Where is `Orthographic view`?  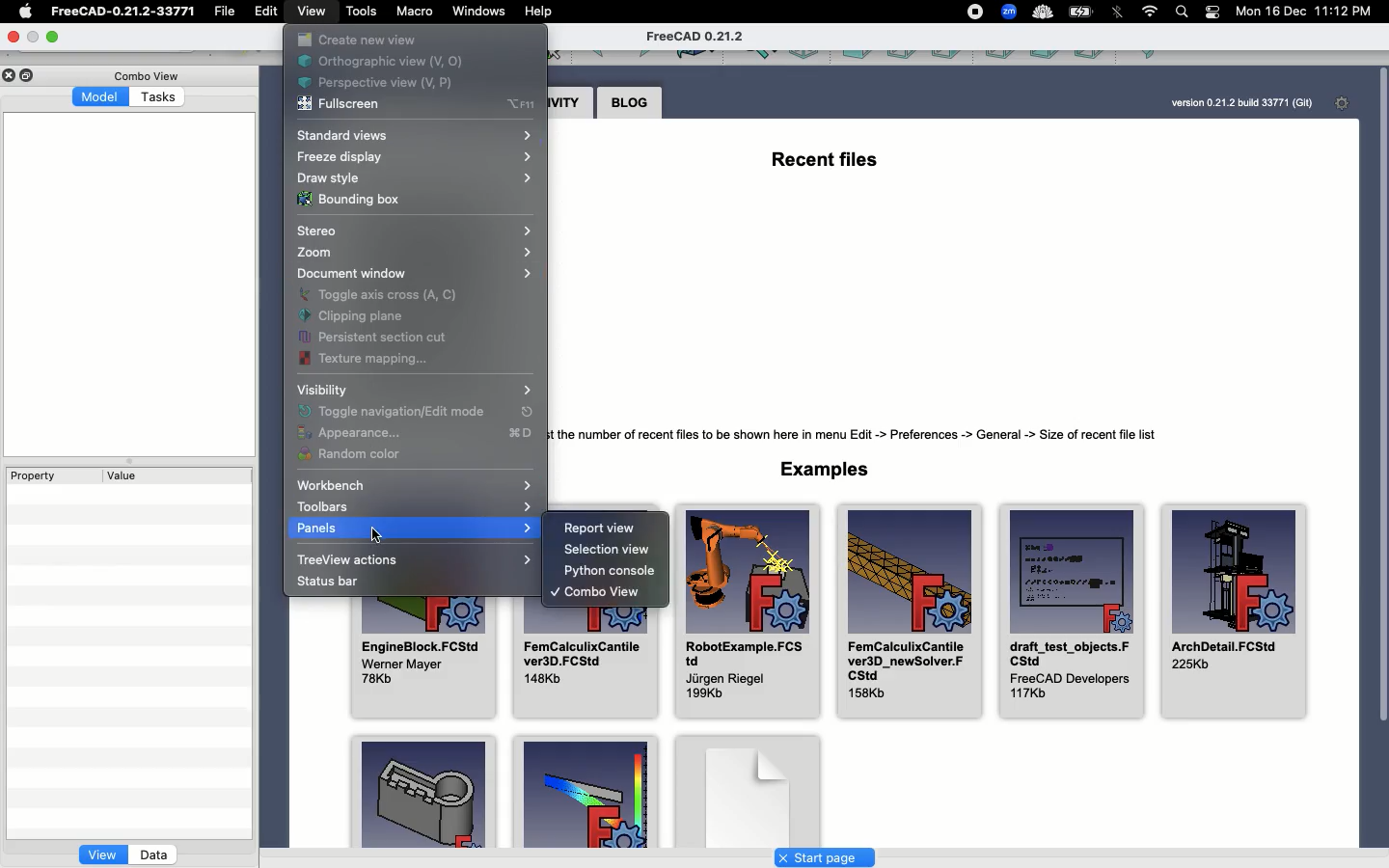 Orthographic view is located at coordinates (409, 60).